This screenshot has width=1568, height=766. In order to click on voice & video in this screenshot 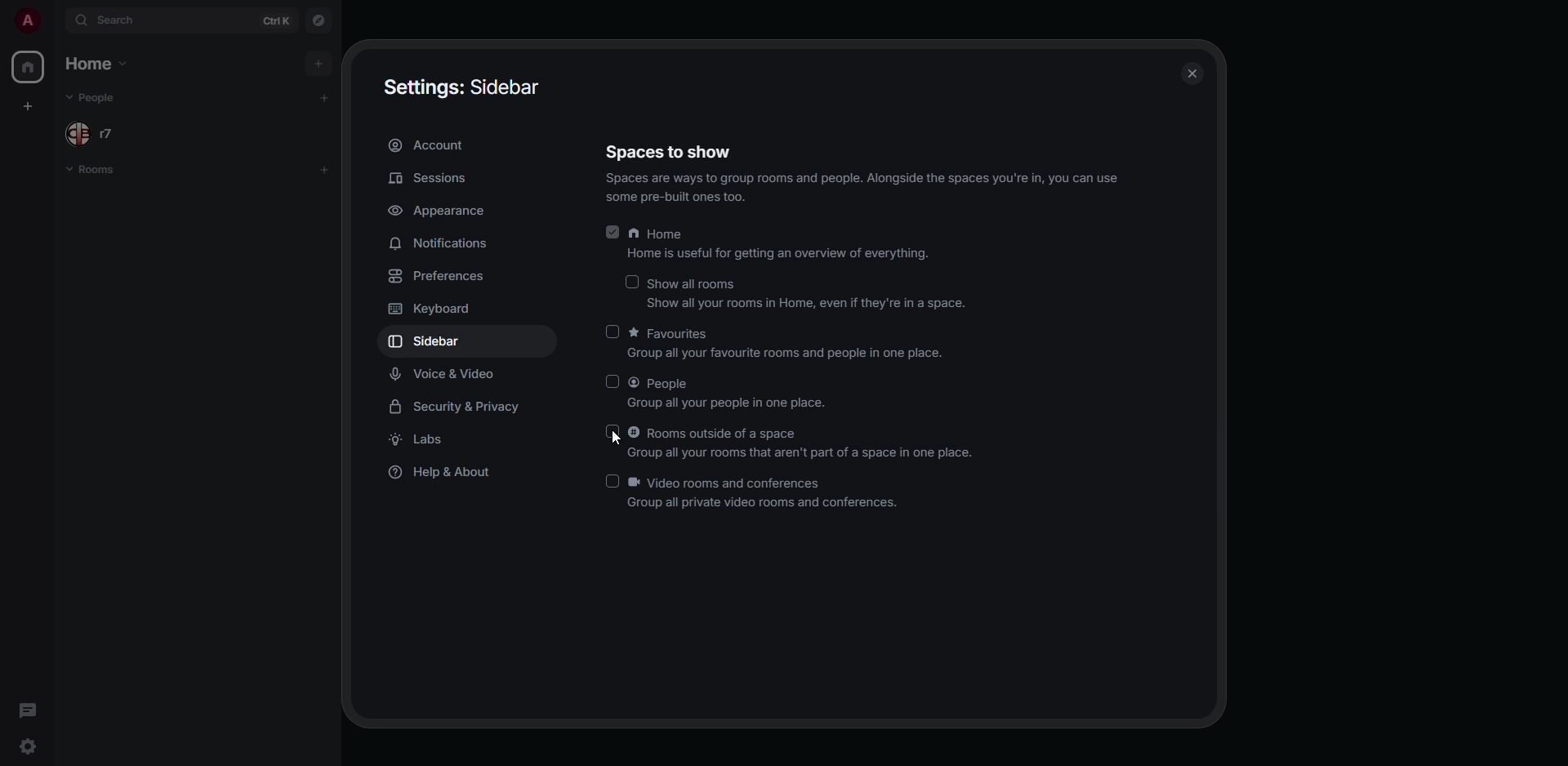, I will do `click(439, 376)`.